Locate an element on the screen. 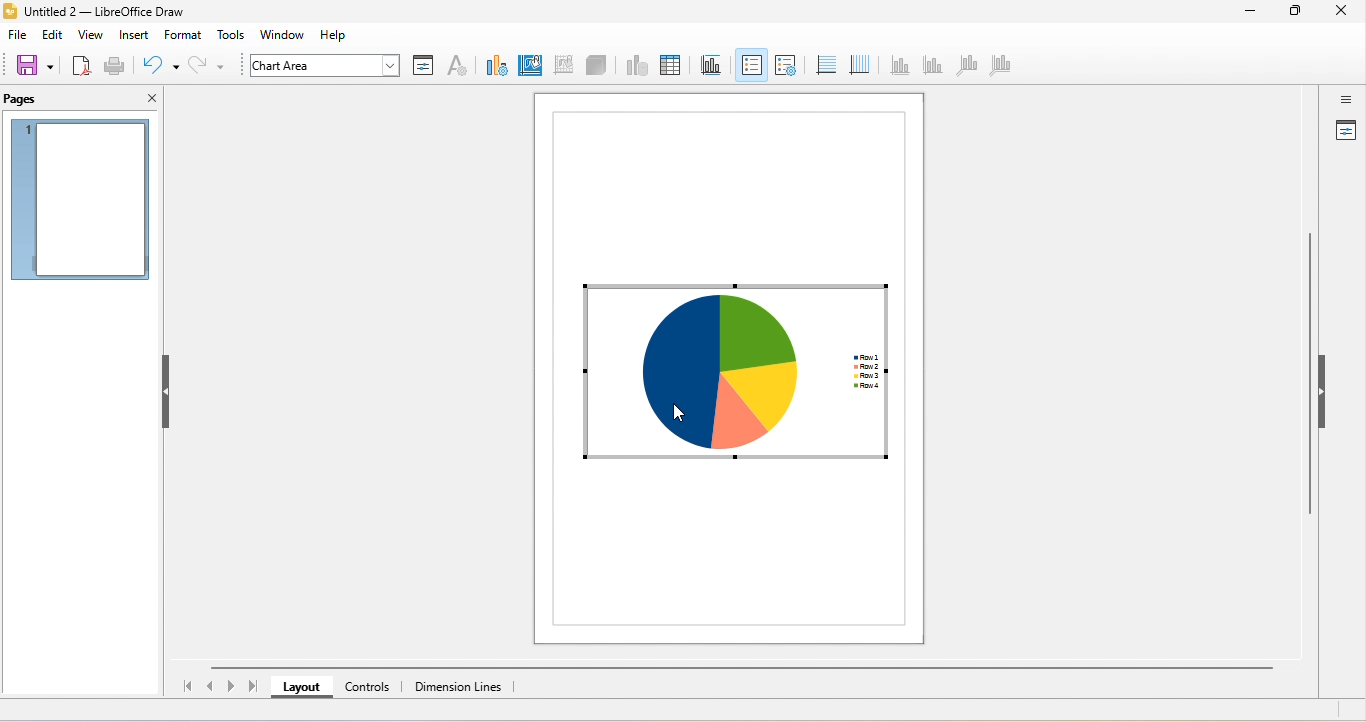 The image size is (1366, 722). pages is located at coordinates (39, 99).